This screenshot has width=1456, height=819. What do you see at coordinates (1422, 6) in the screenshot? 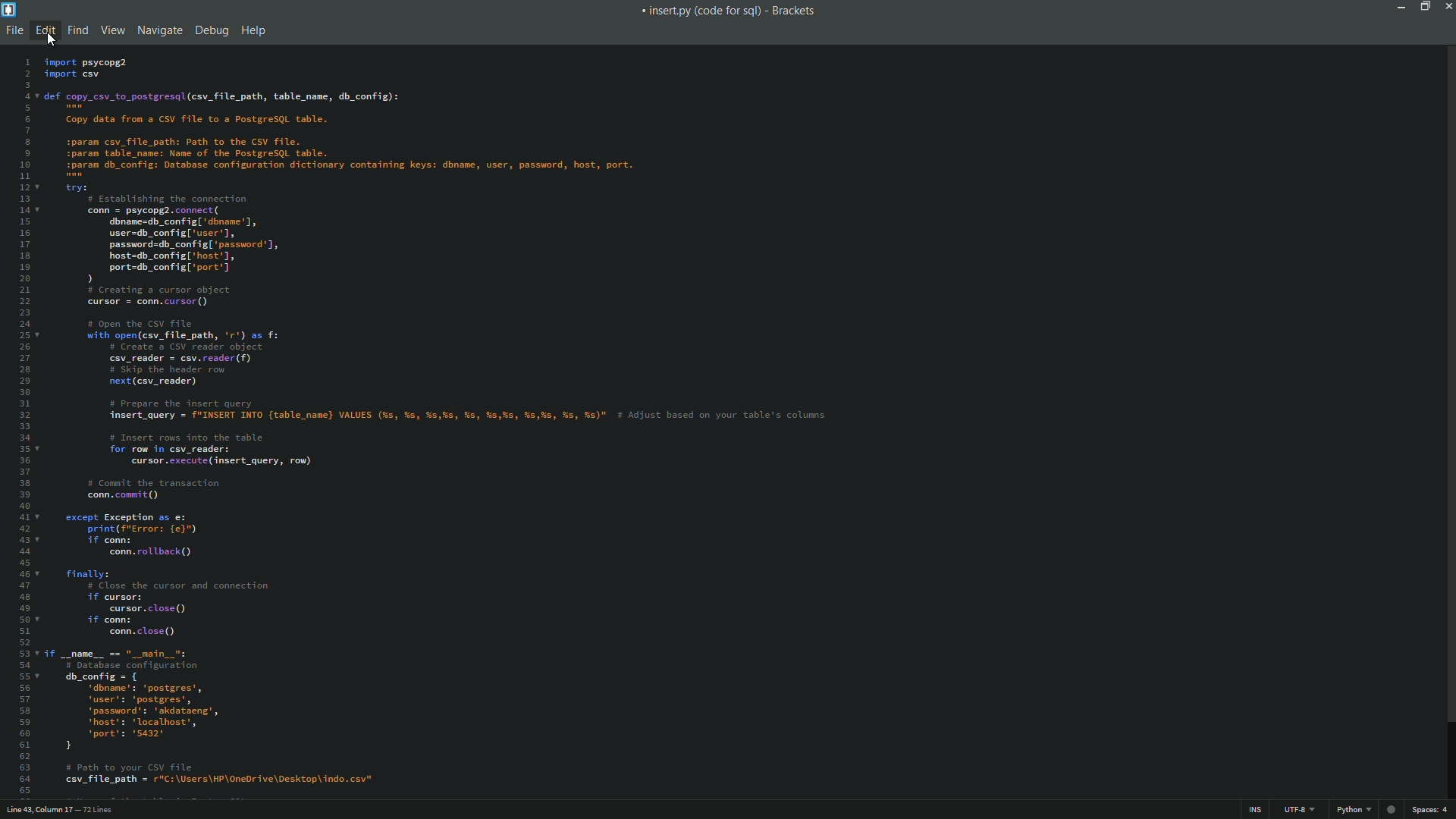
I see `maximize` at bounding box center [1422, 6].